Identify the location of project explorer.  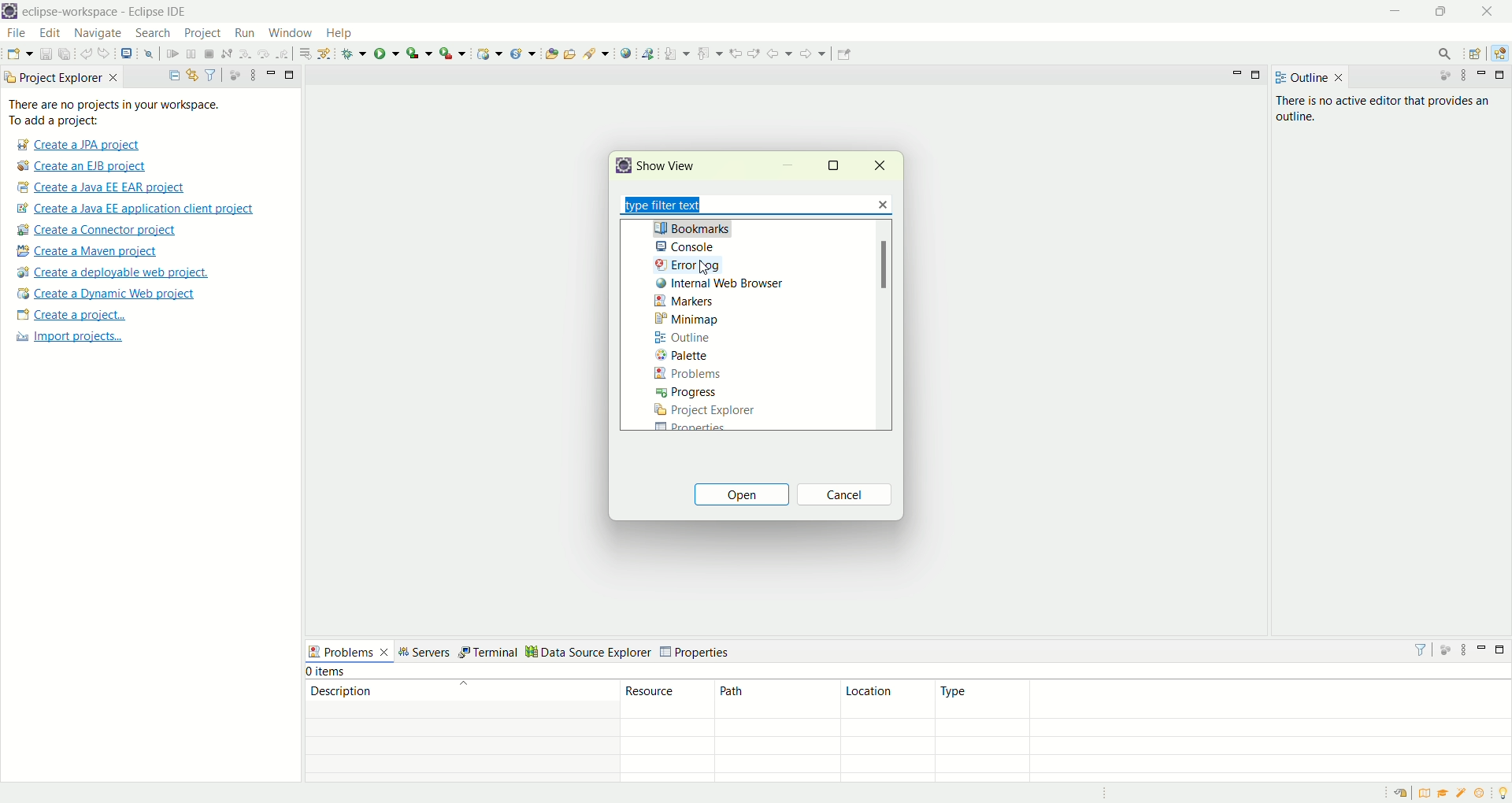
(706, 411).